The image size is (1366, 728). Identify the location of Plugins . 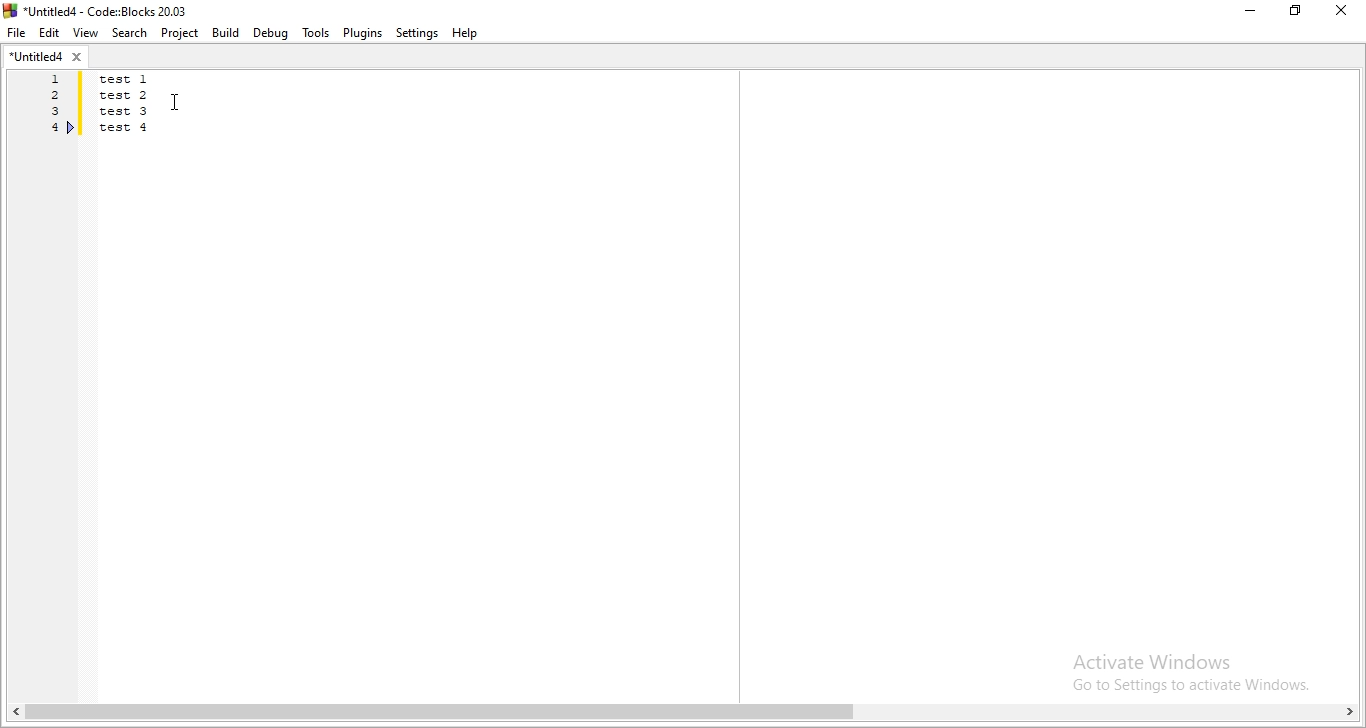
(363, 33).